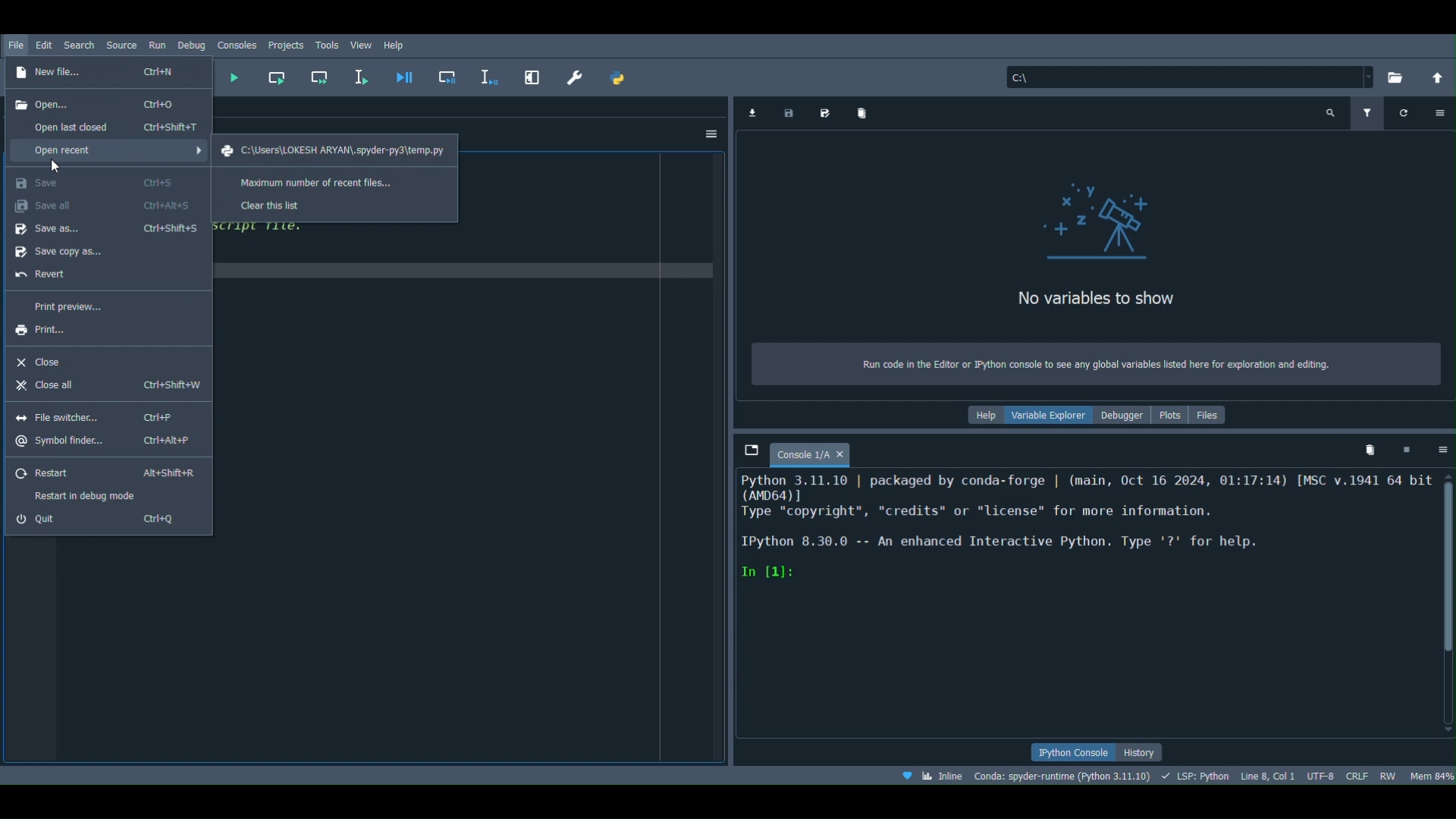 The height and width of the screenshot is (819, 1456). Describe the element at coordinates (1213, 416) in the screenshot. I see `Files` at that location.